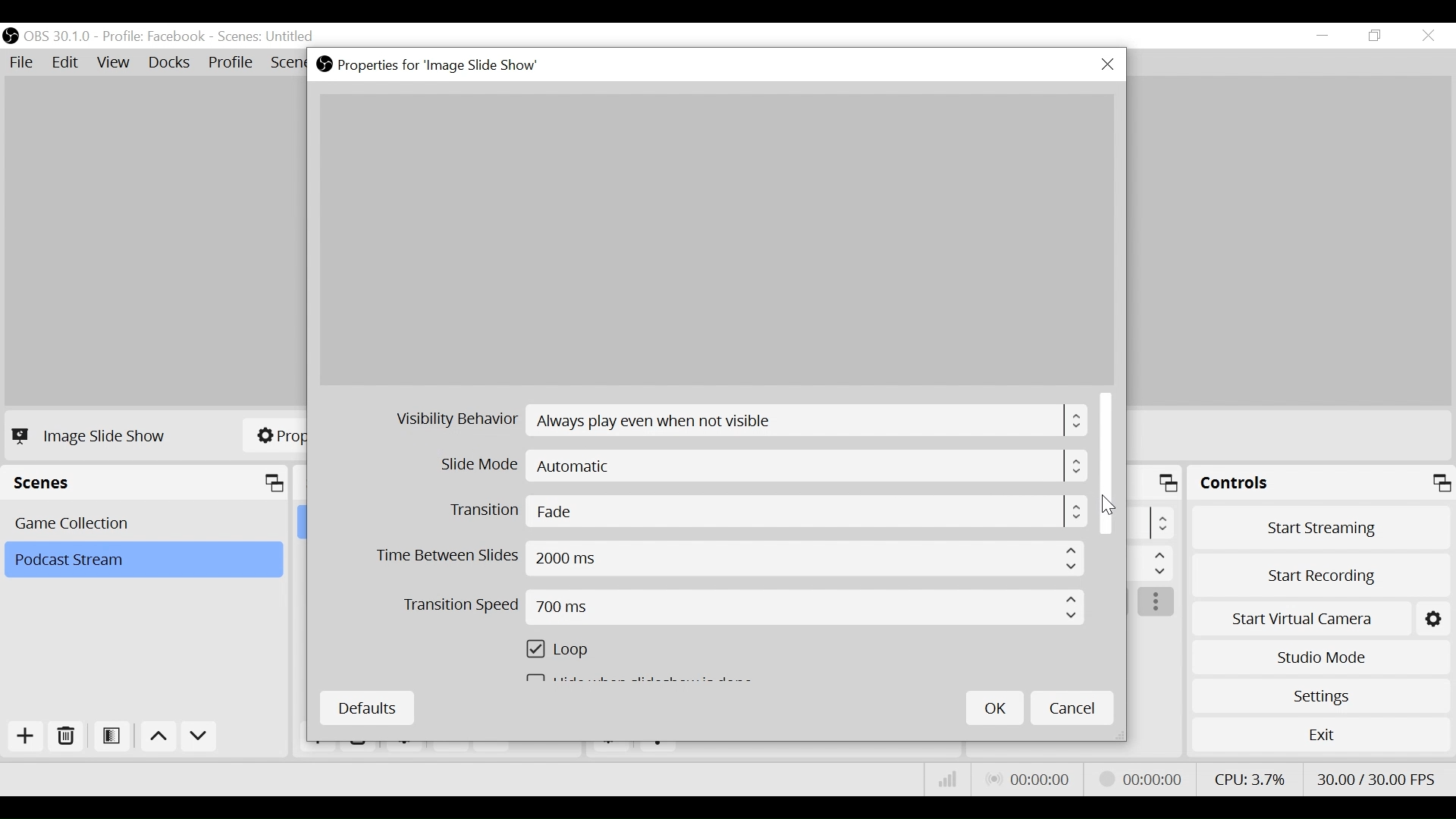 The image size is (1456, 819). I want to click on Profile, so click(154, 36).